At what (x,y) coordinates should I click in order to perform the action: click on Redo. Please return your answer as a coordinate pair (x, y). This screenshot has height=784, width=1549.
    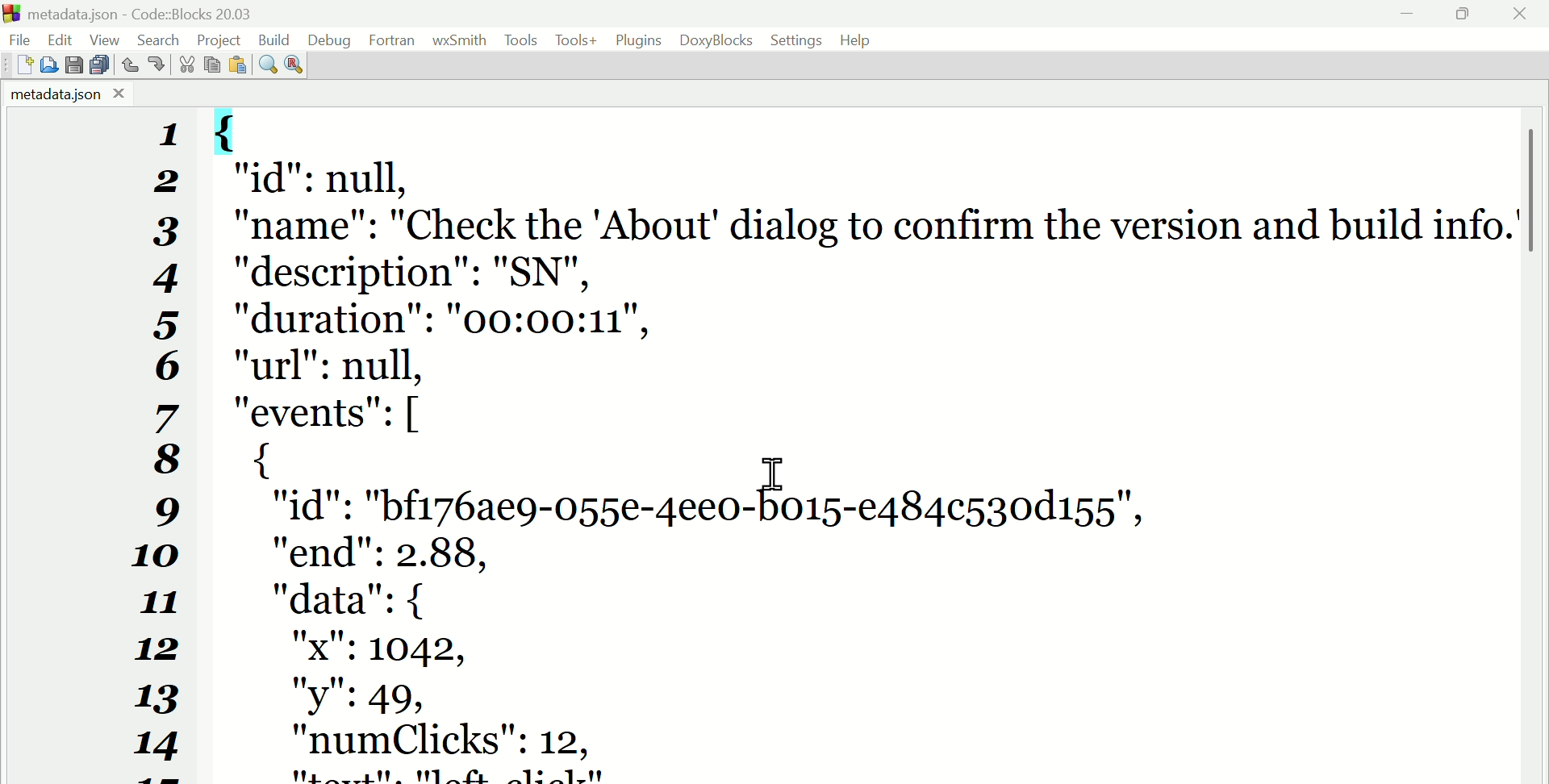
    Looking at the image, I should click on (156, 63).